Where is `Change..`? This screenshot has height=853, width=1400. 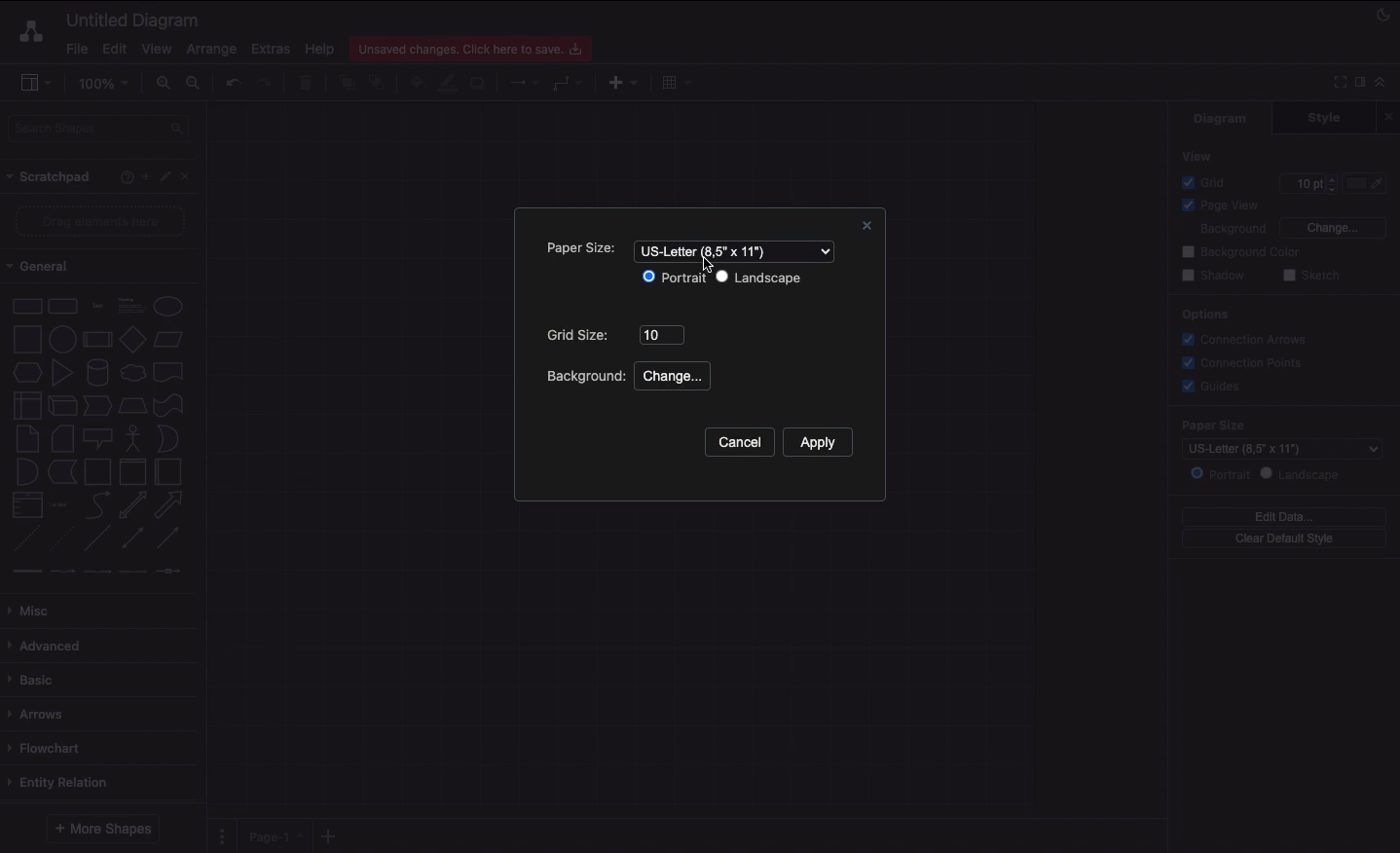
Change.. is located at coordinates (670, 377).